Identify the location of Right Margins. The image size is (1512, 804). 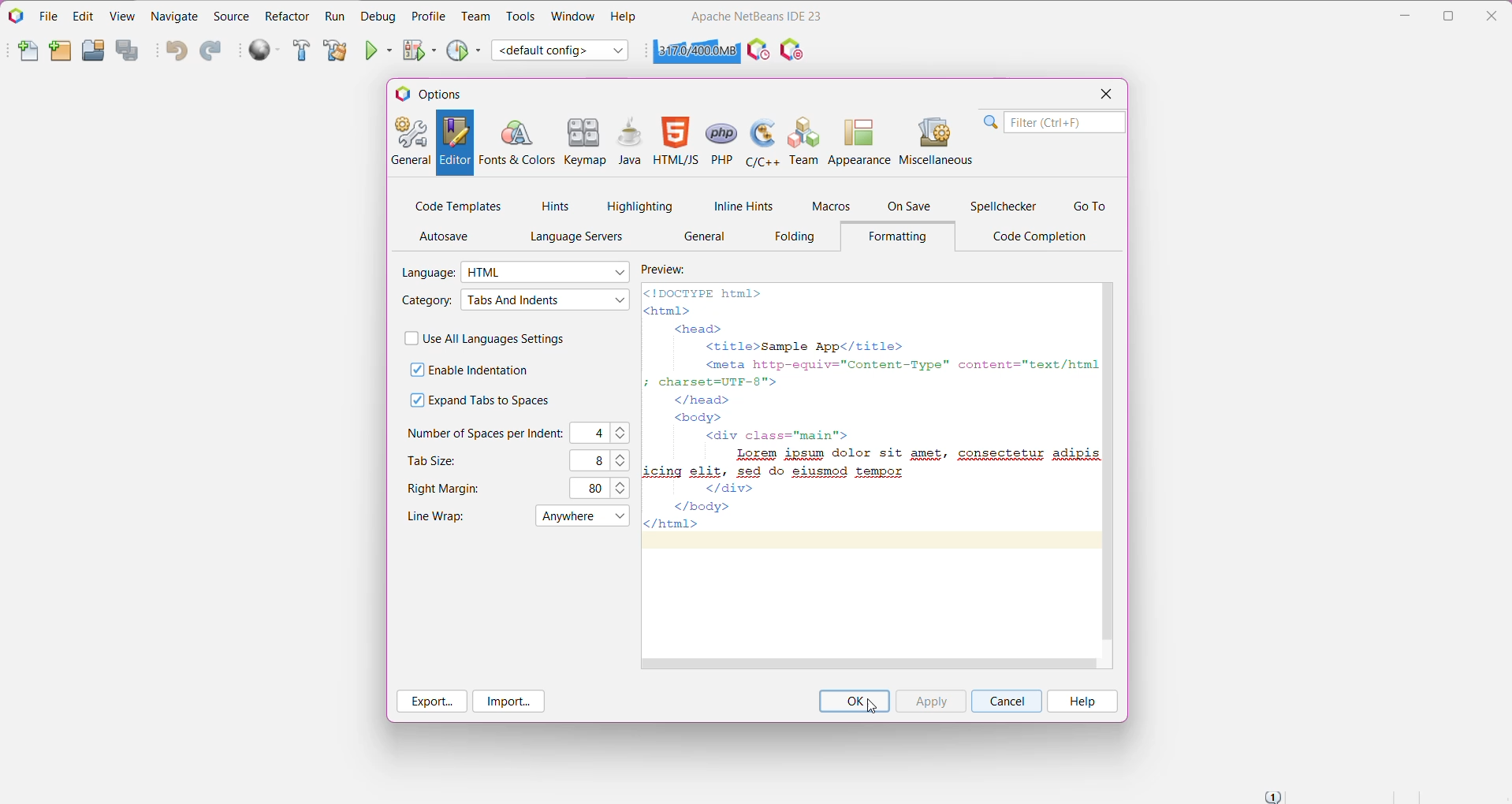
(449, 489).